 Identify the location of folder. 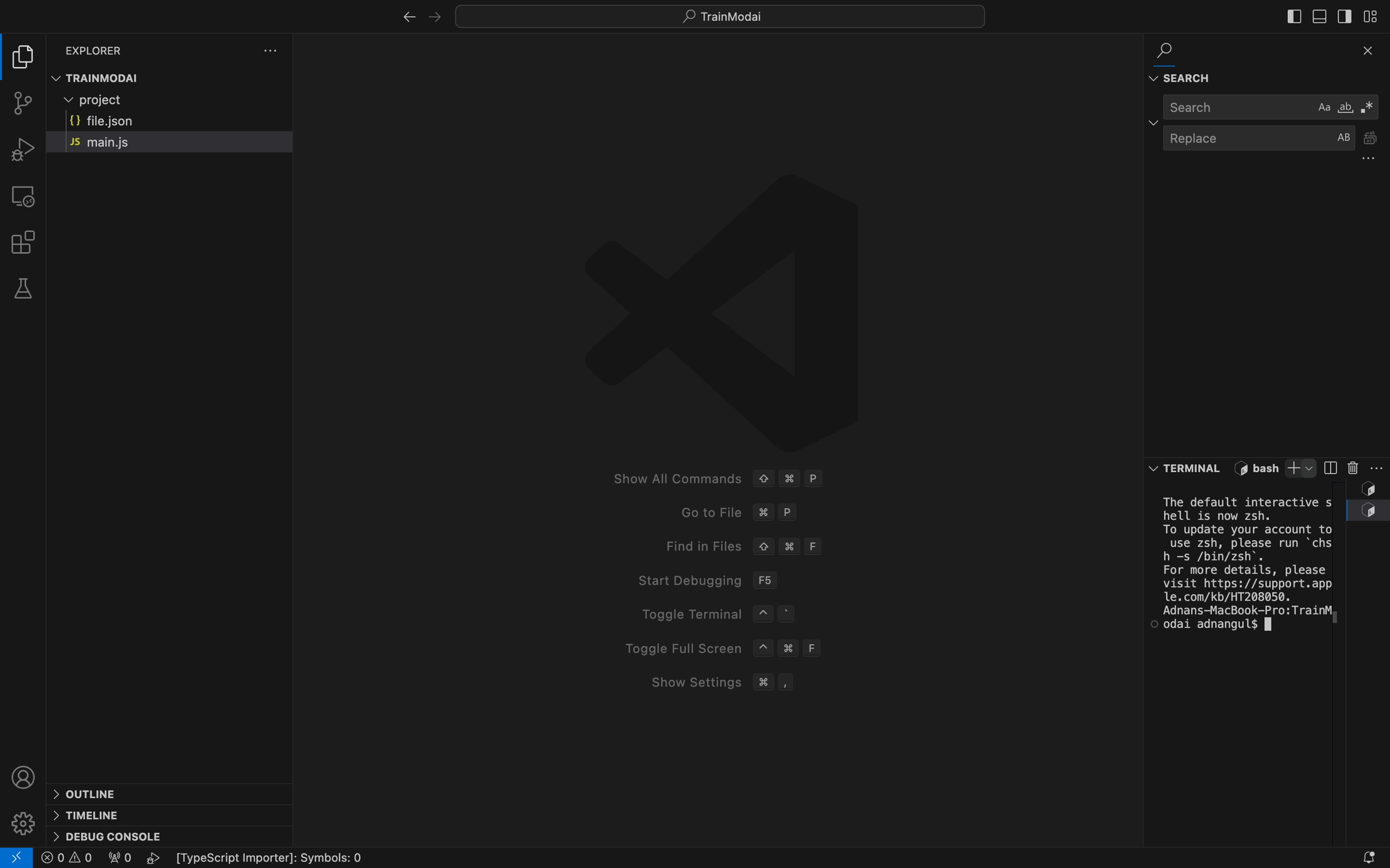
(23, 56).